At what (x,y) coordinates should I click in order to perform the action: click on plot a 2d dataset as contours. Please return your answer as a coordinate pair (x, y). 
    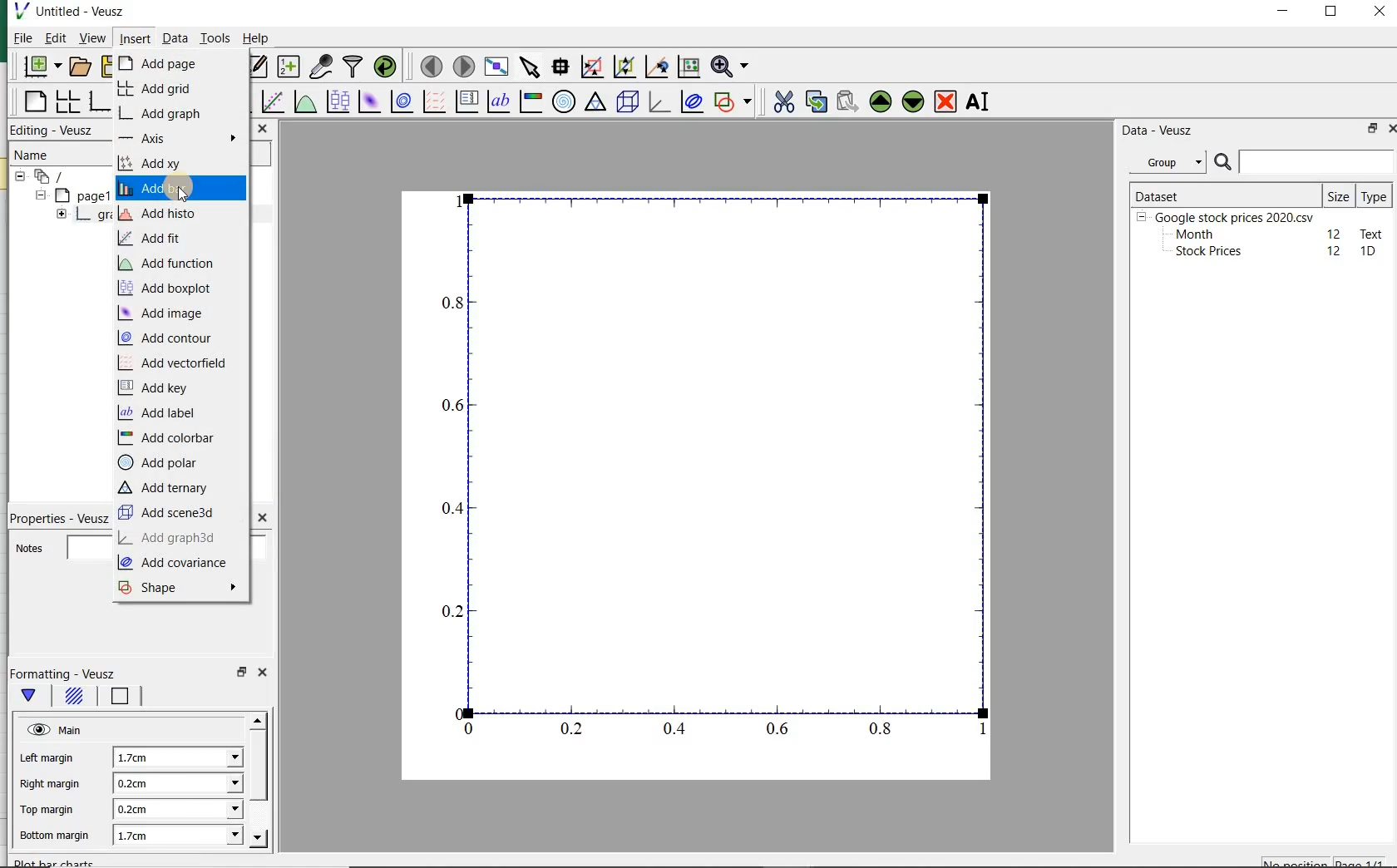
    Looking at the image, I should click on (399, 103).